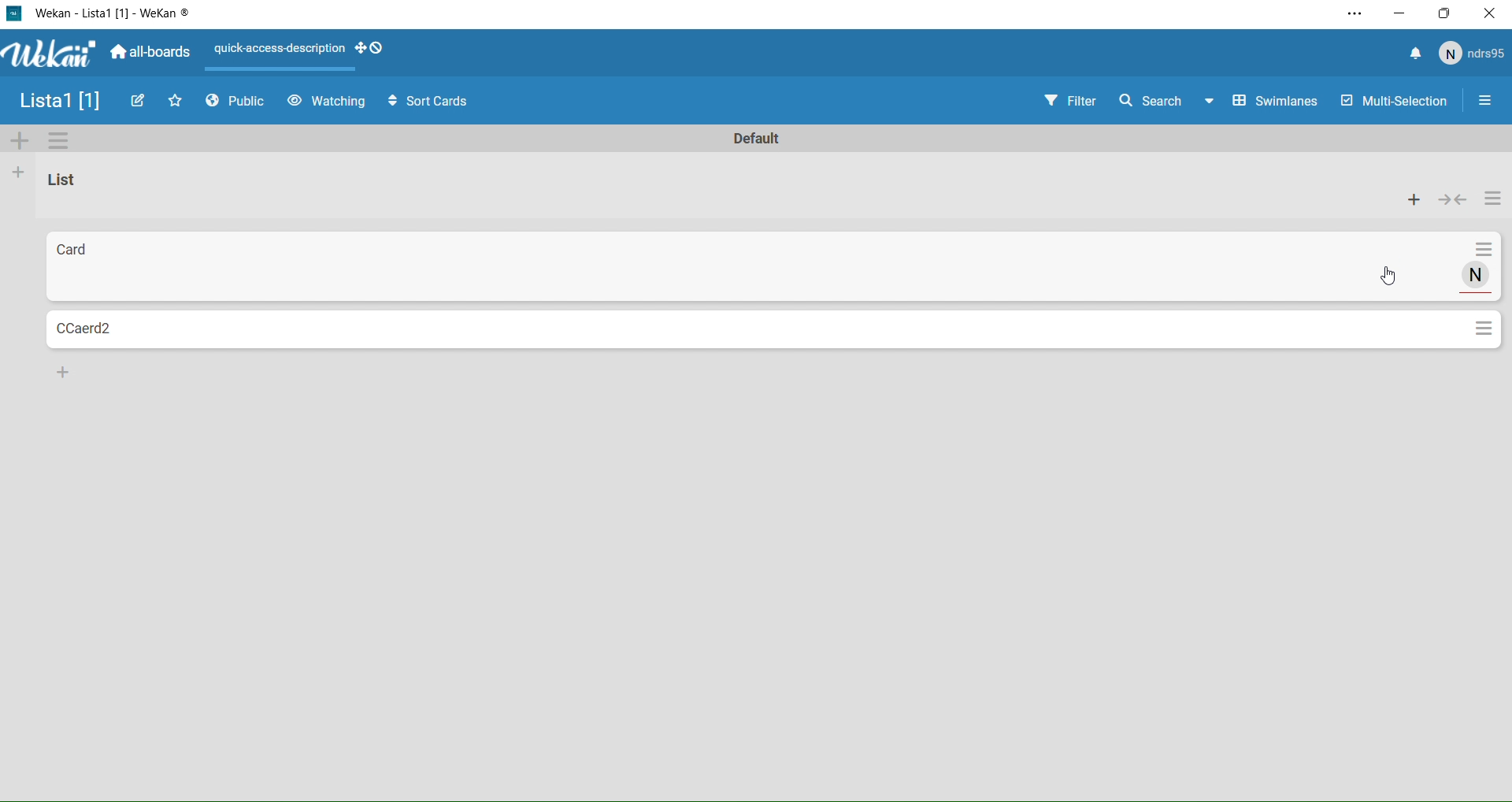 The width and height of the screenshot is (1512, 802). Describe the element at coordinates (55, 102) in the screenshot. I see `Name` at that location.